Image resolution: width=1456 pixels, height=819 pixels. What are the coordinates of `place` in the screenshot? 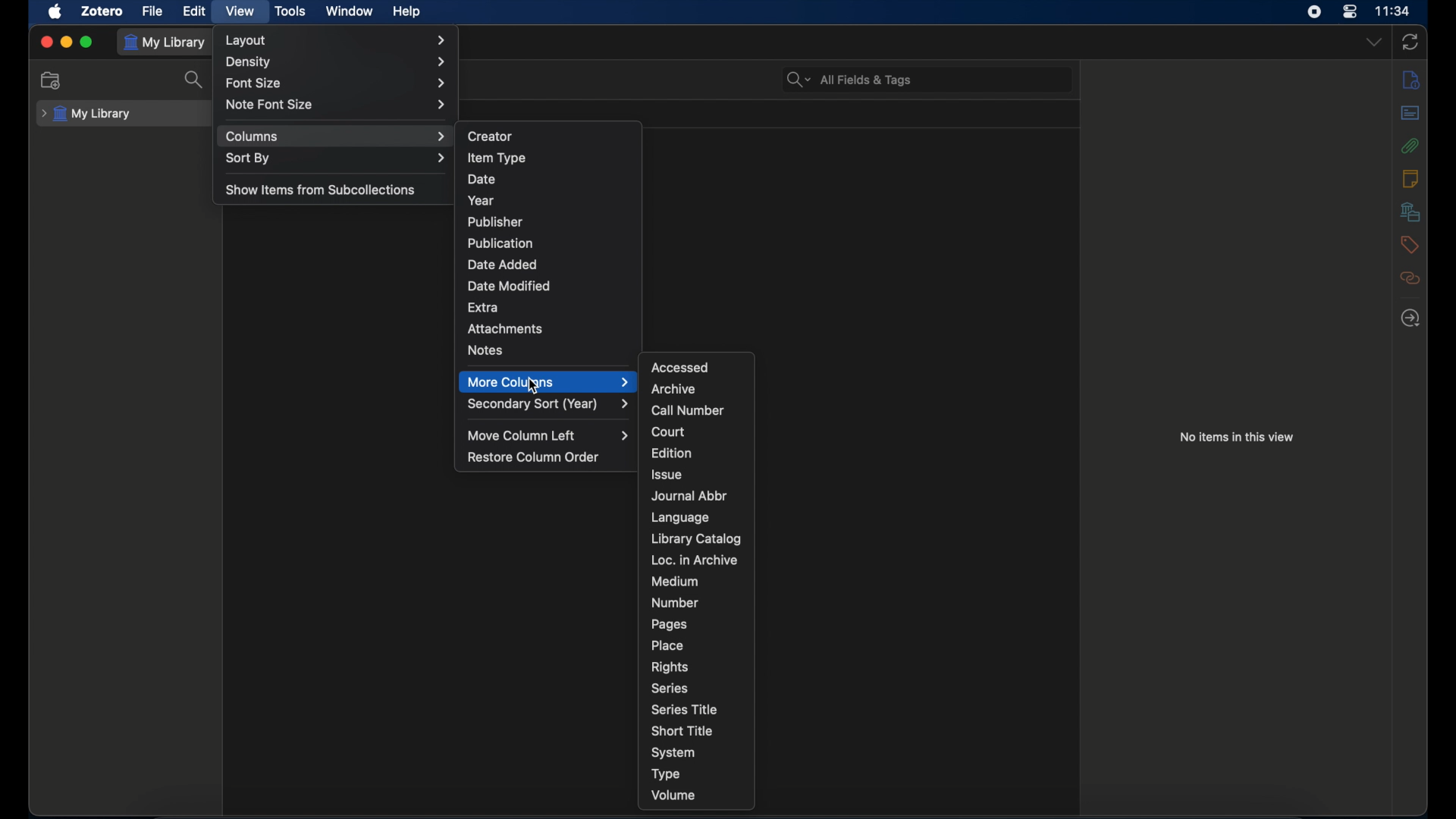 It's located at (667, 645).